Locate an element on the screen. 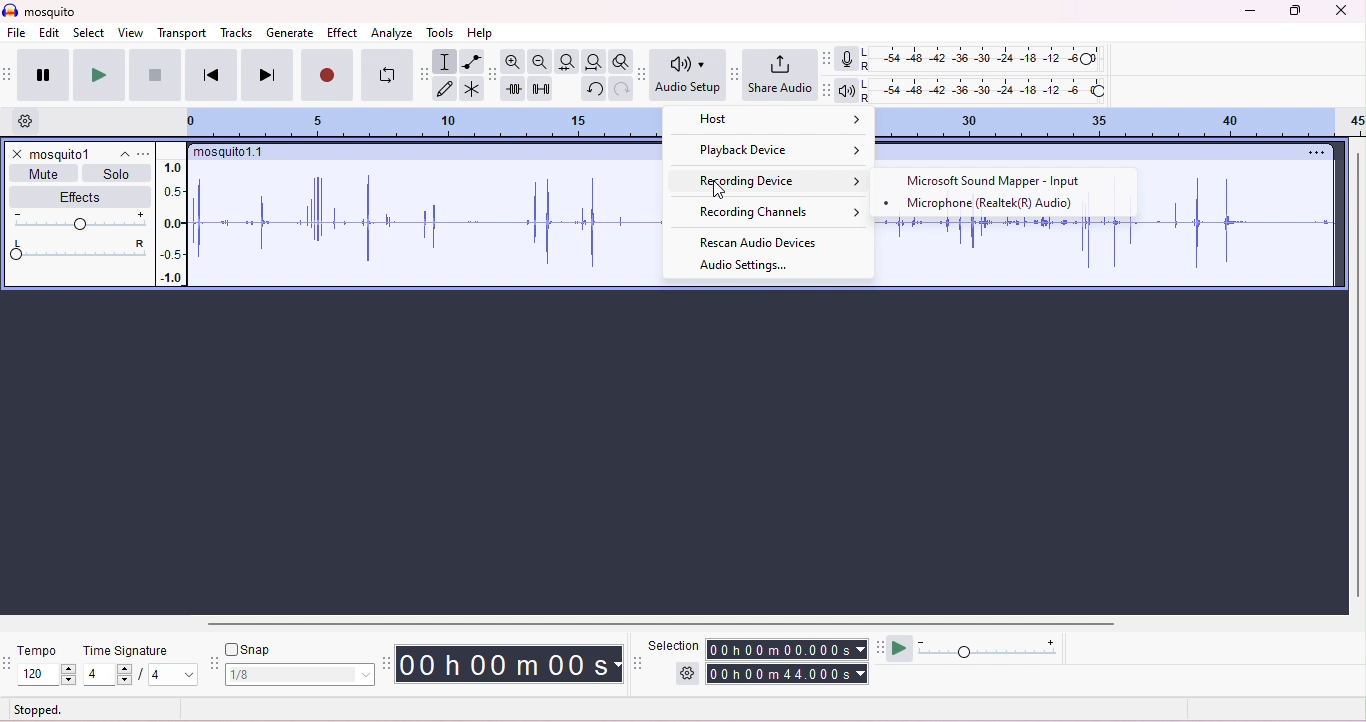 This screenshot has width=1366, height=722. zoom in is located at coordinates (513, 61).